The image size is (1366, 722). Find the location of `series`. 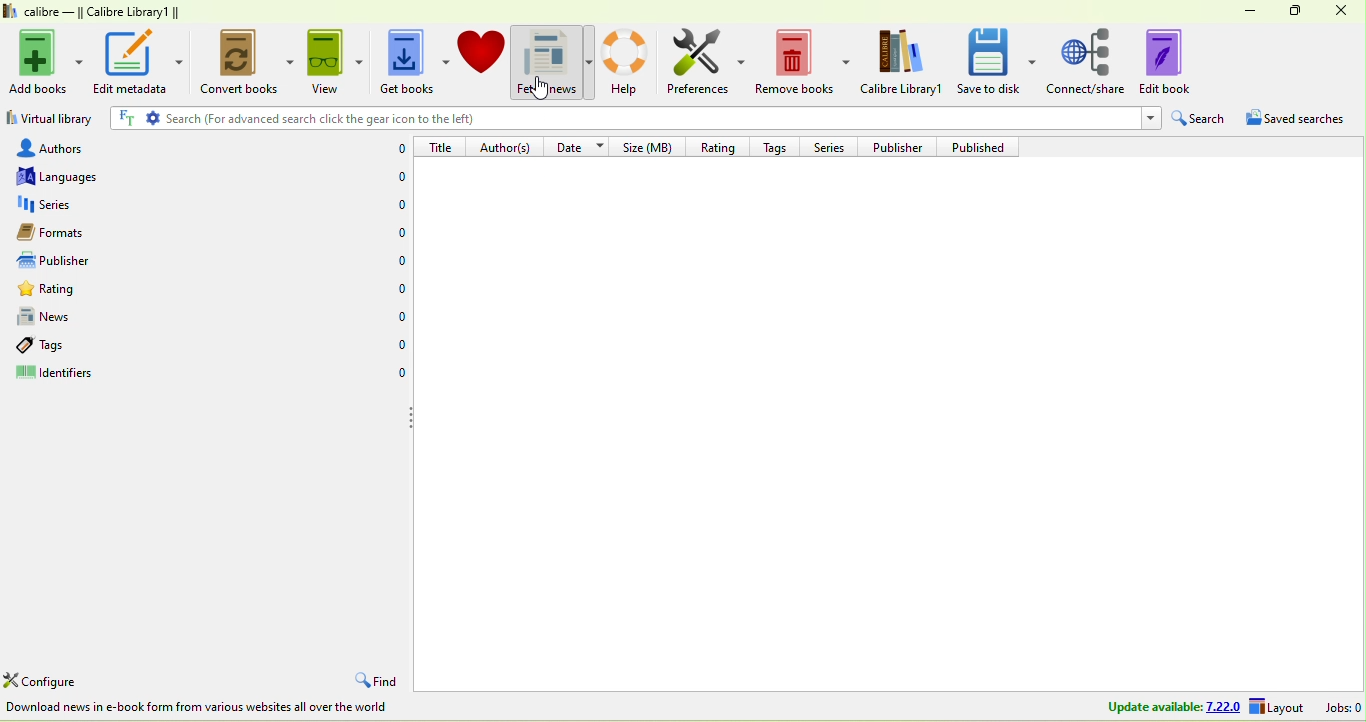

series is located at coordinates (155, 205).